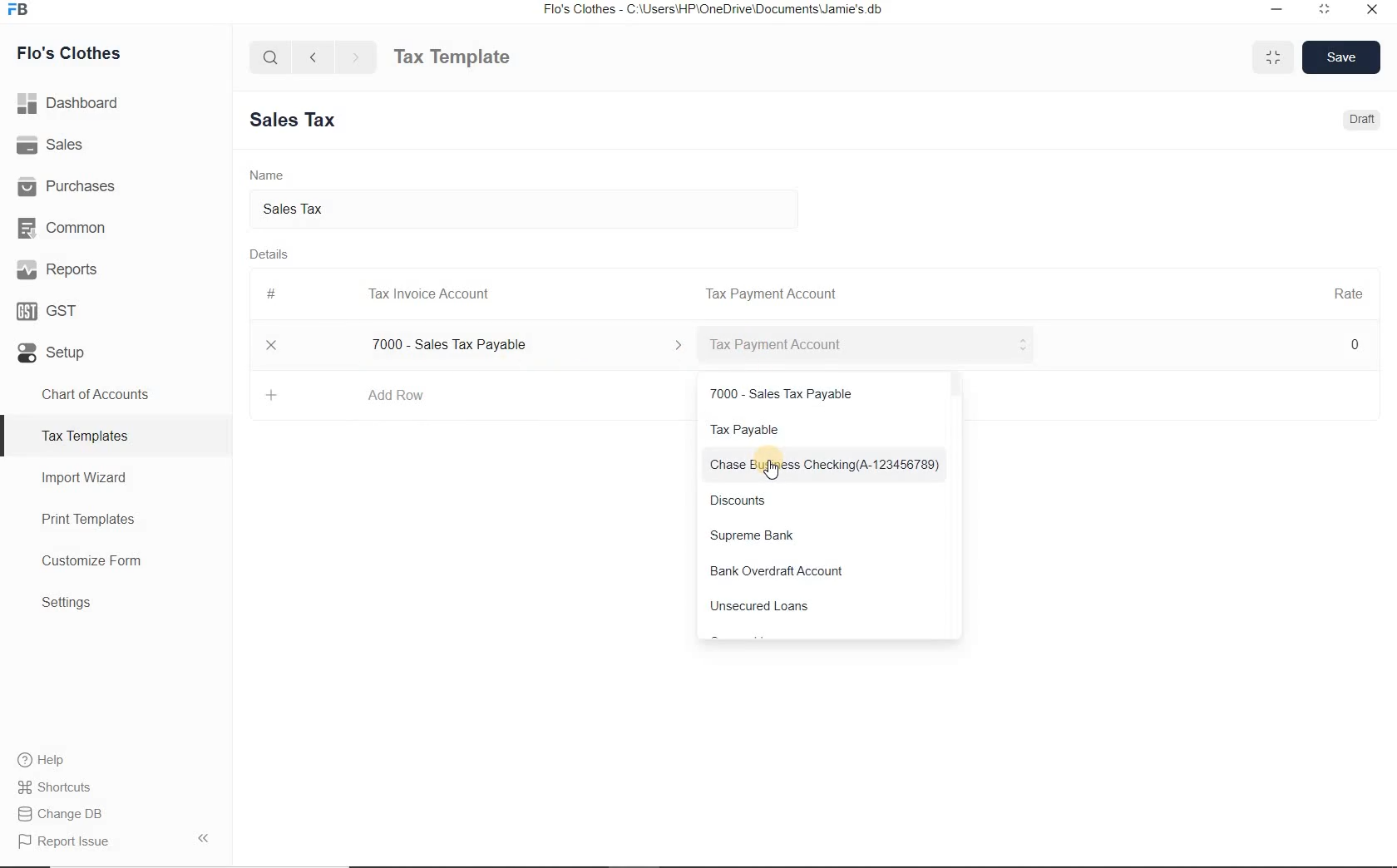 The width and height of the screenshot is (1397, 868). What do you see at coordinates (531, 209) in the screenshot?
I see `Sales tax` at bounding box center [531, 209].